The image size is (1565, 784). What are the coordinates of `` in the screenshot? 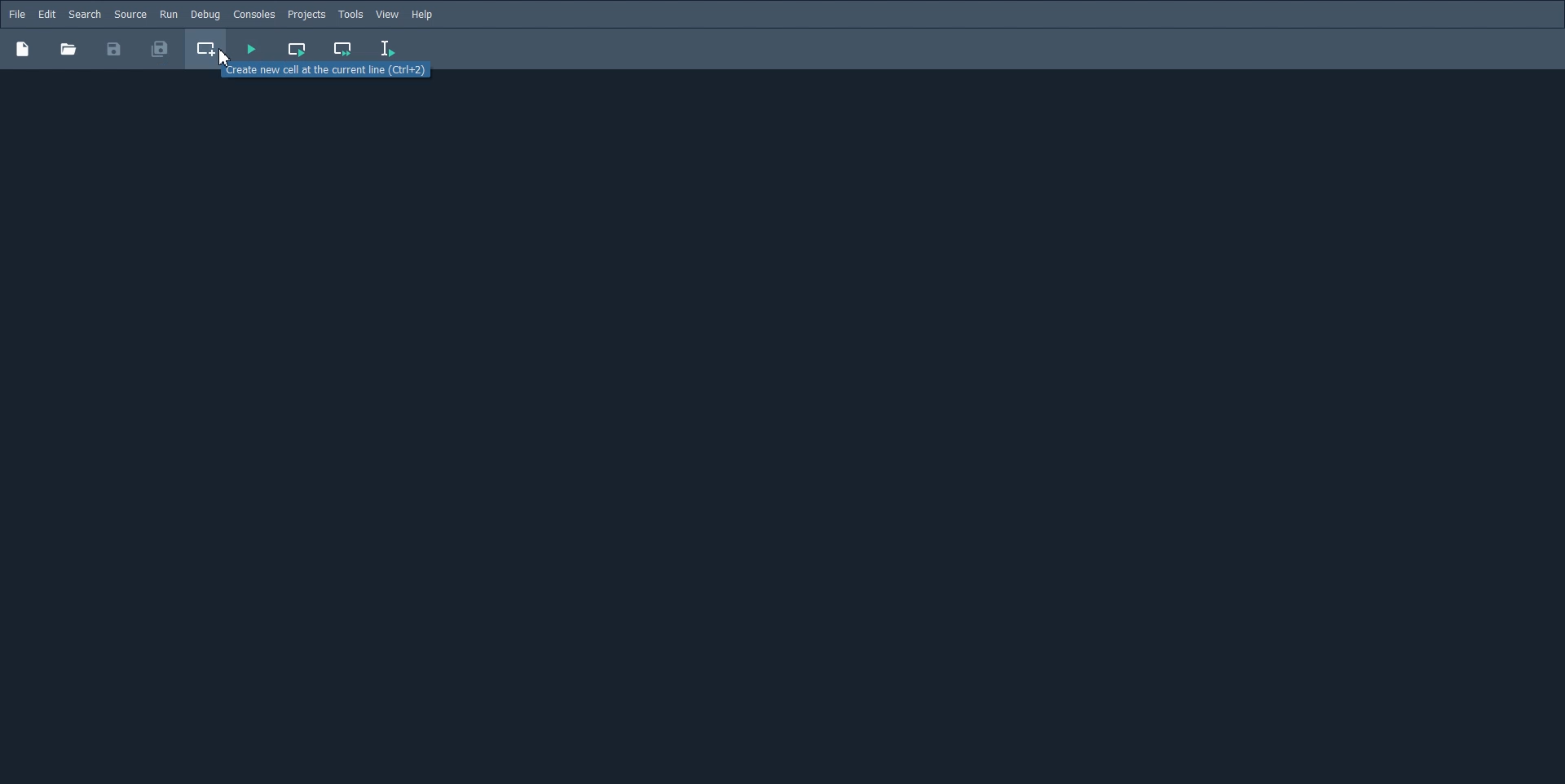 It's located at (68, 49).